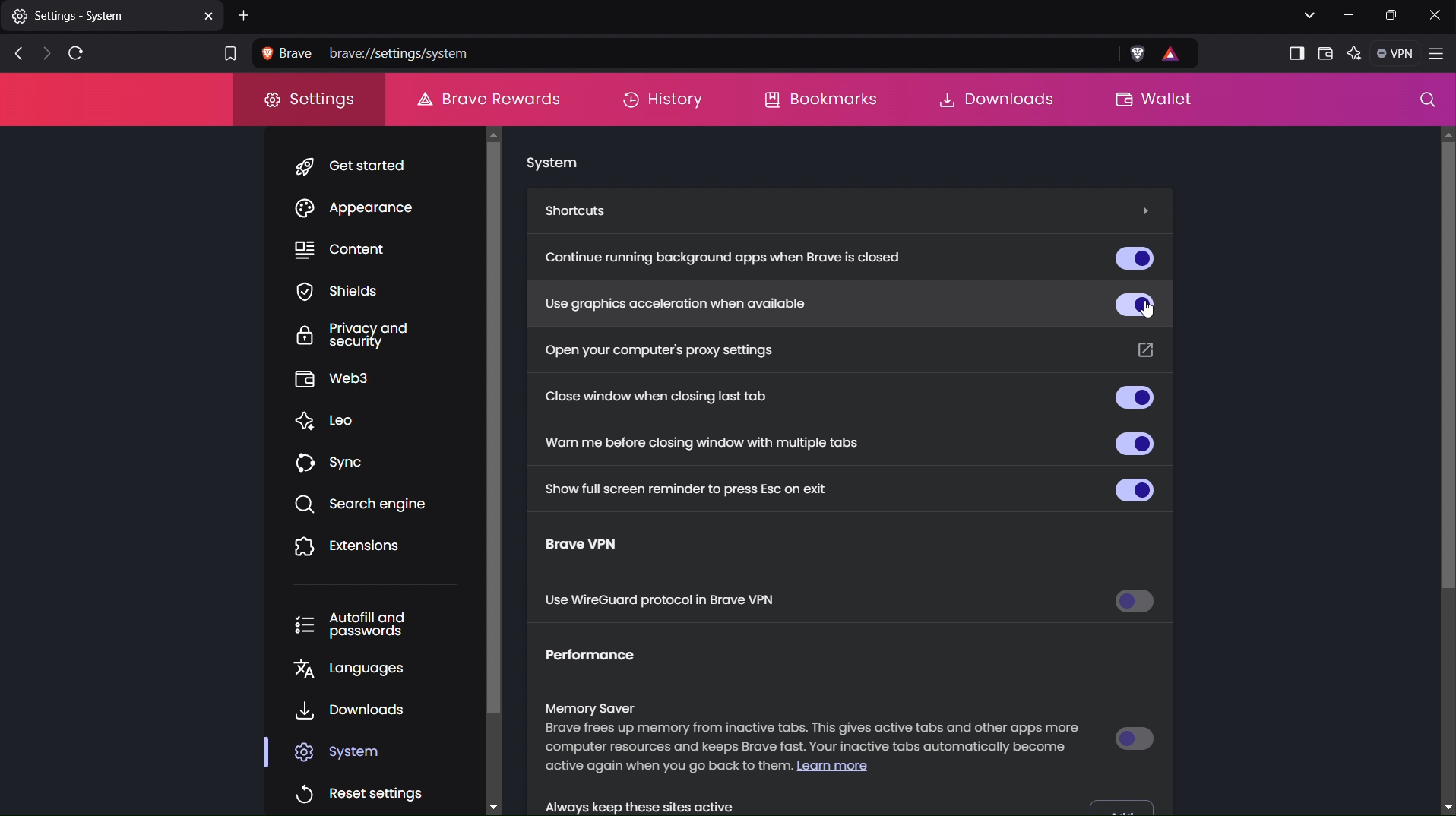  What do you see at coordinates (1428, 103) in the screenshot?
I see `Search` at bounding box center [1428, 103].